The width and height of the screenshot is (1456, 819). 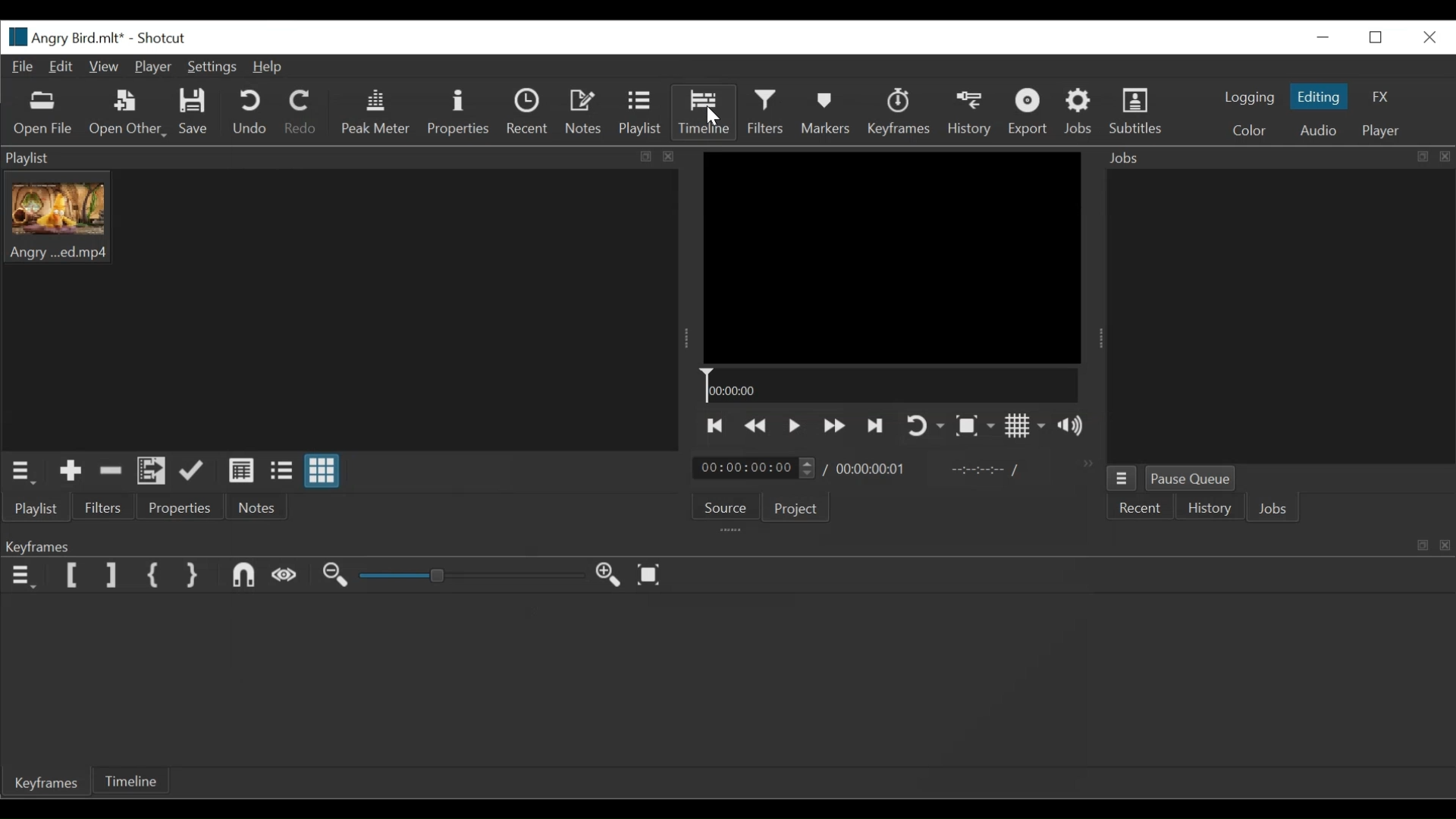 I want to click on View, so click(x=102, y=67).